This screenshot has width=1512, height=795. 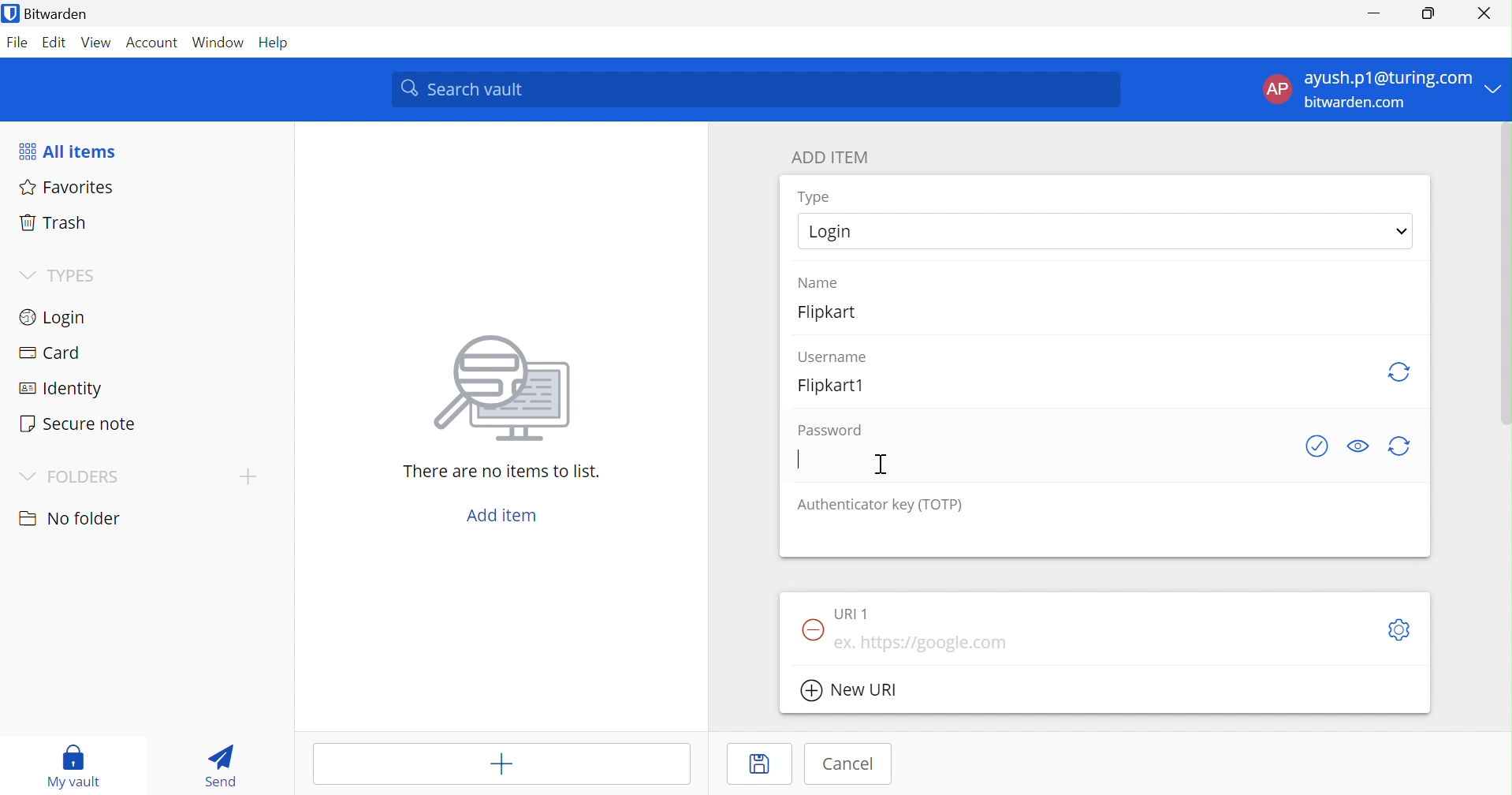 I want to click on Account, so click(x=153, y=43).